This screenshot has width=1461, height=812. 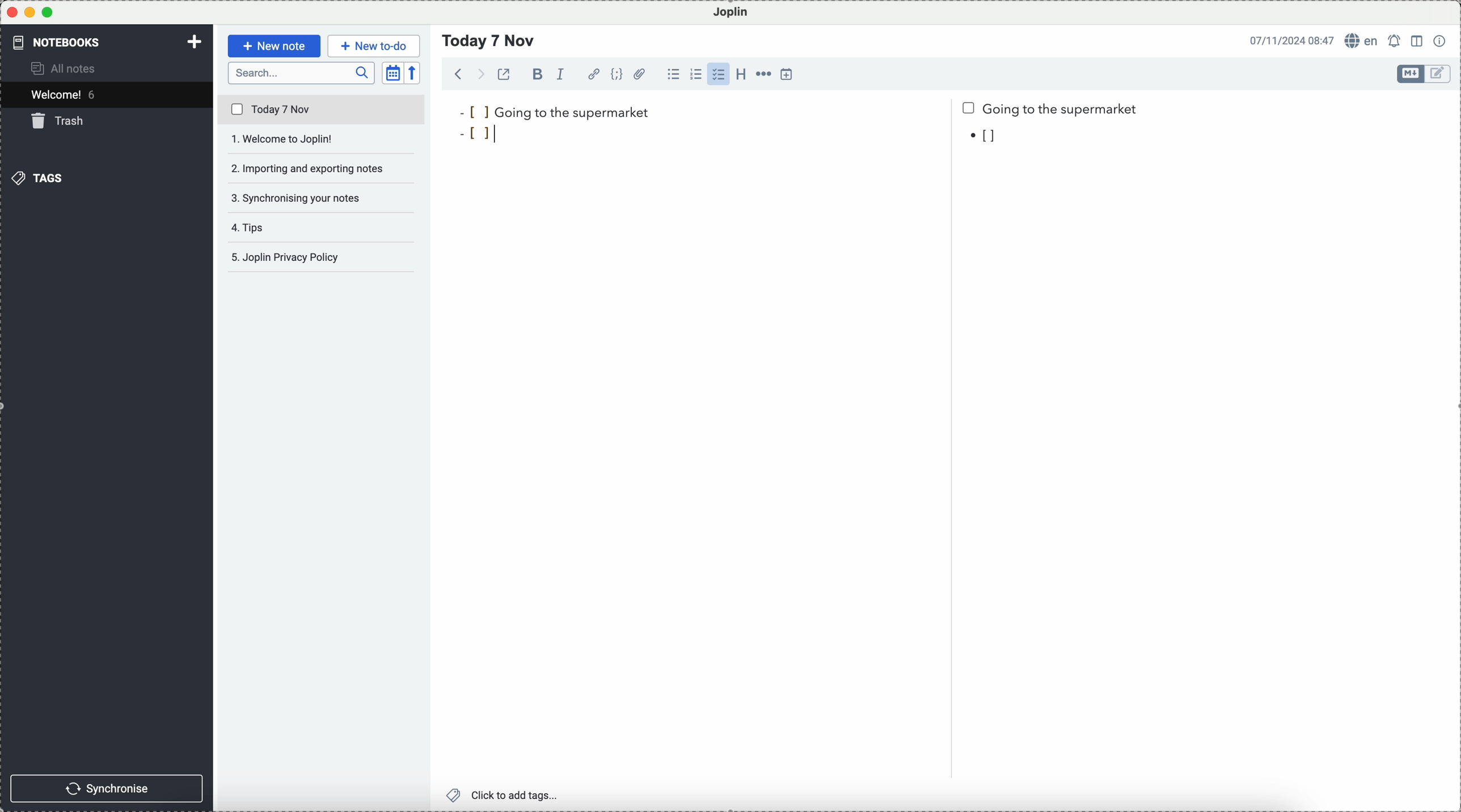 What do you see at coordinates (640, 74) in the screenshot?
I see `attach file` at bounding box center [640, 74].